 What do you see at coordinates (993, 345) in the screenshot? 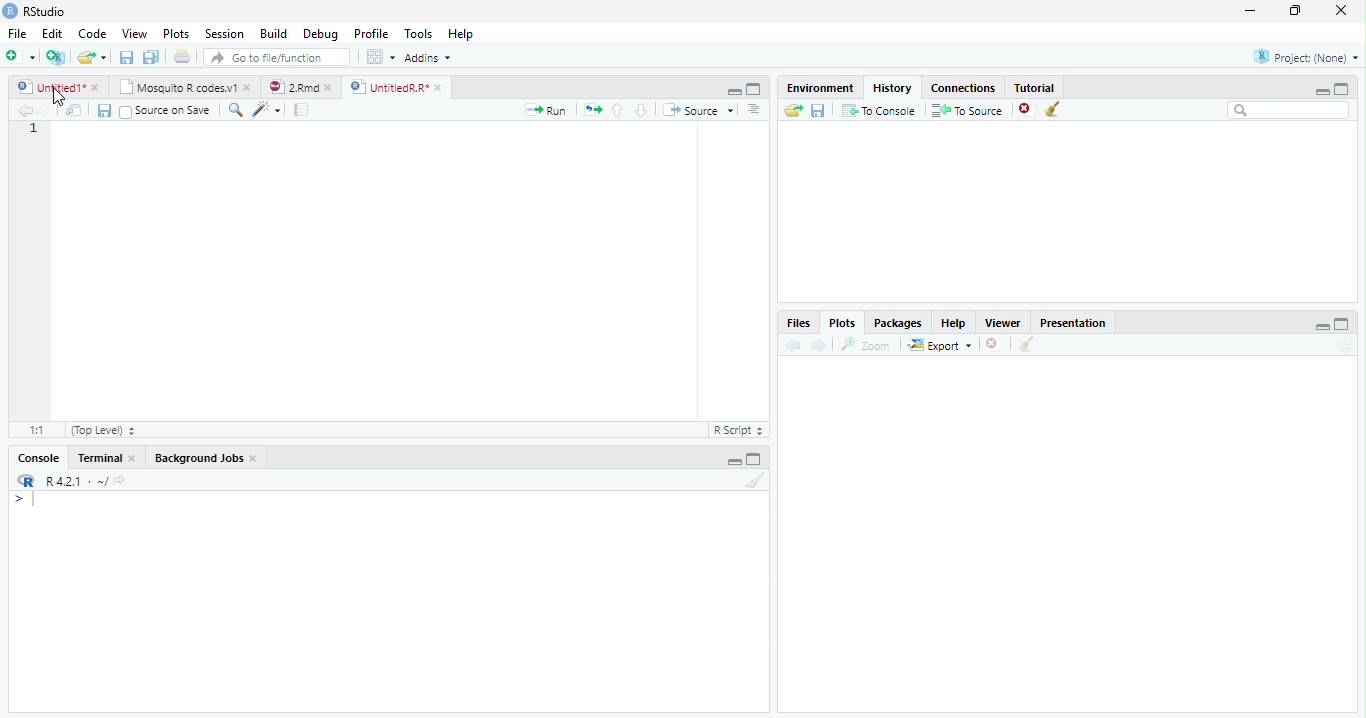
I see `Delete` at bounding box center [993, 345].